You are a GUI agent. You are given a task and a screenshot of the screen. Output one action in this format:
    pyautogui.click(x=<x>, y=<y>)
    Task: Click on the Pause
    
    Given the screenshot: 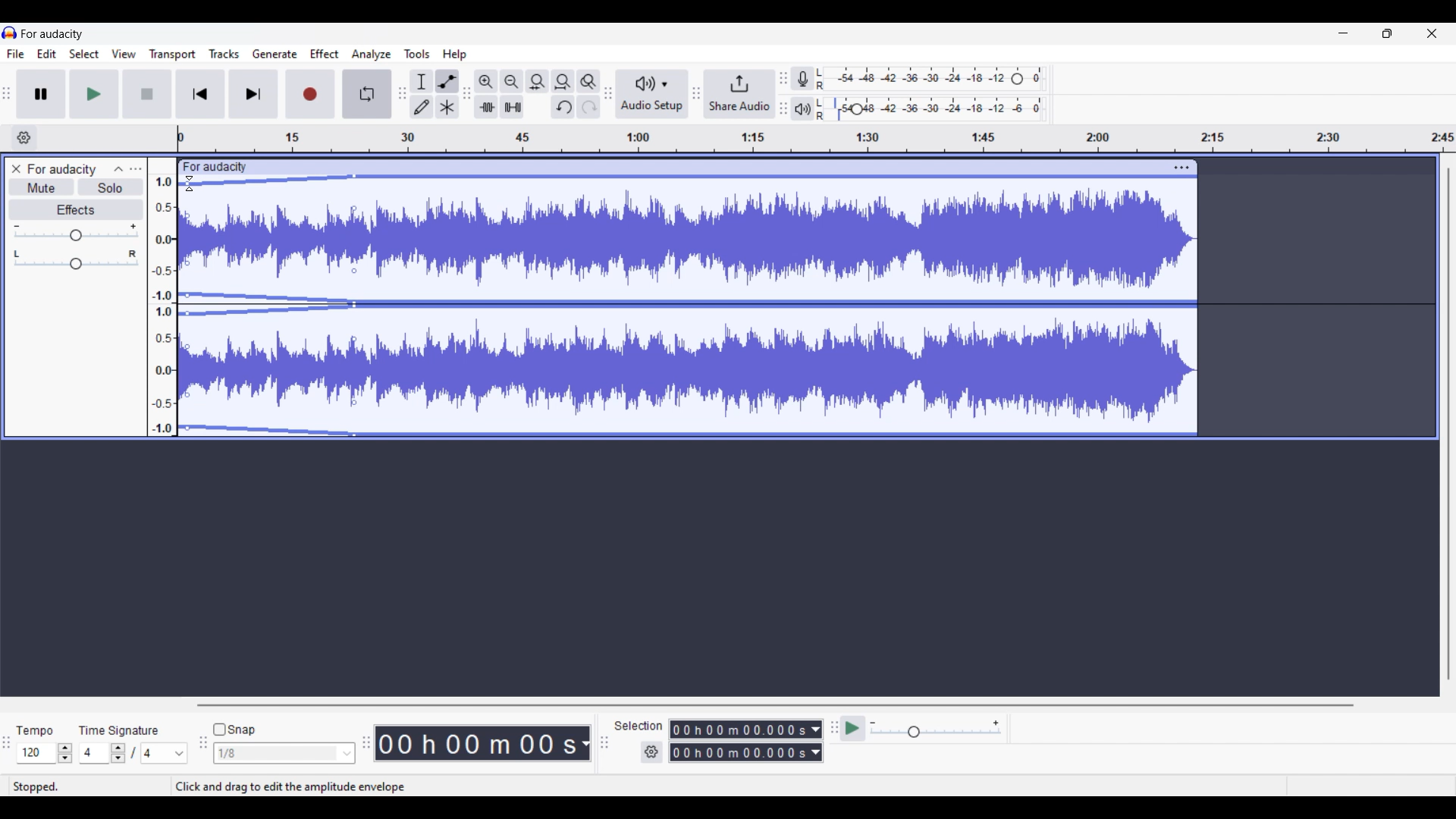 What is the action you would take?
    pyautogui.click(x=41, y=94)
    